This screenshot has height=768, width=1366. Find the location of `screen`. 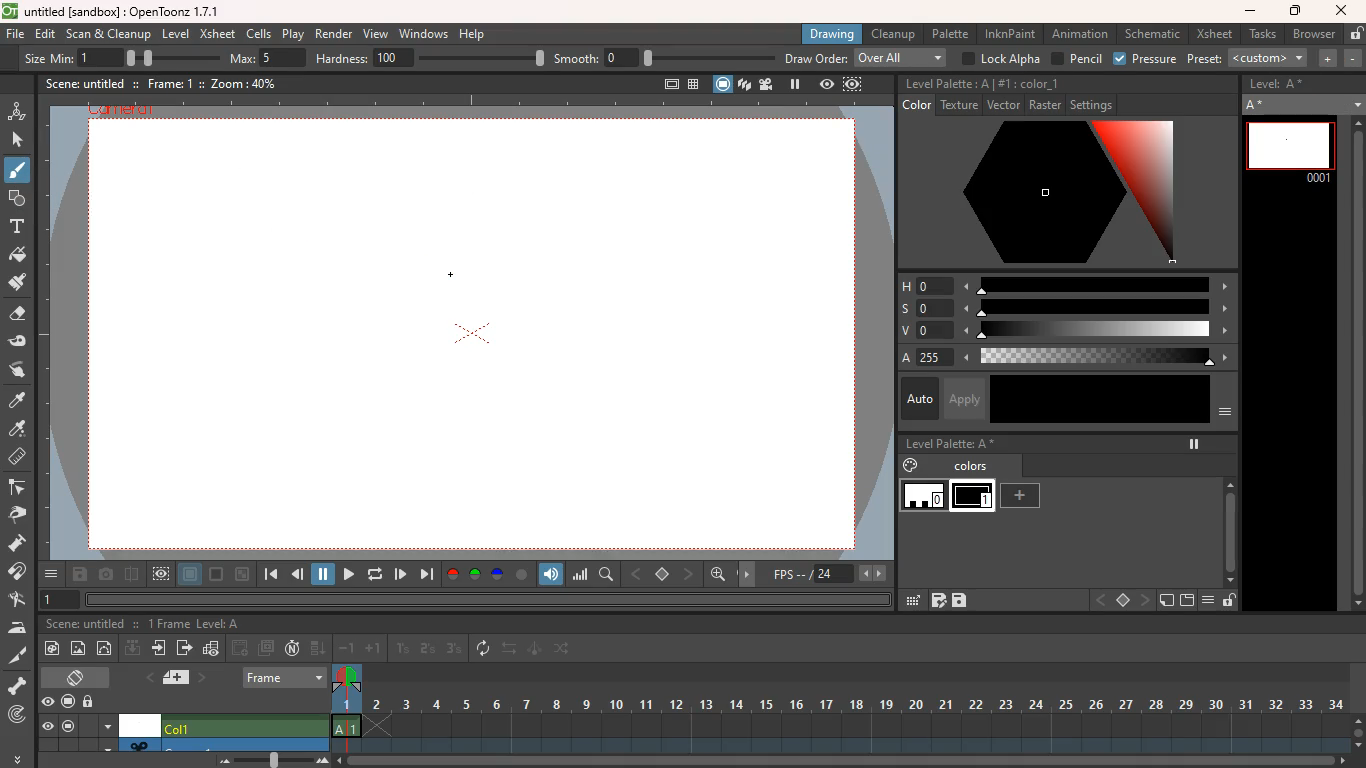

screen is located at coordinates (79, 676).